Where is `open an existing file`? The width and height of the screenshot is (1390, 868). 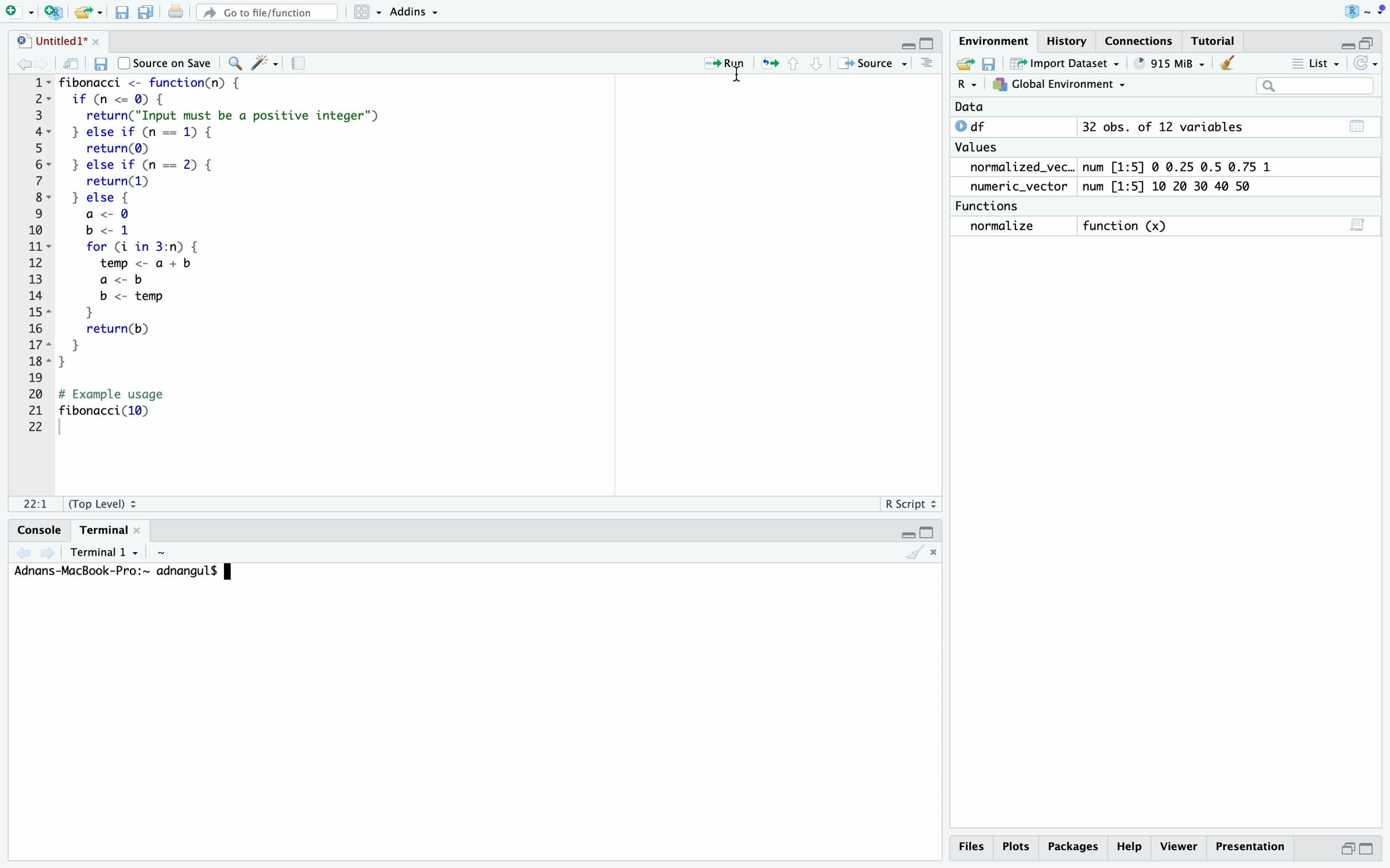 open an existing file is located at coordinates (88, 12).